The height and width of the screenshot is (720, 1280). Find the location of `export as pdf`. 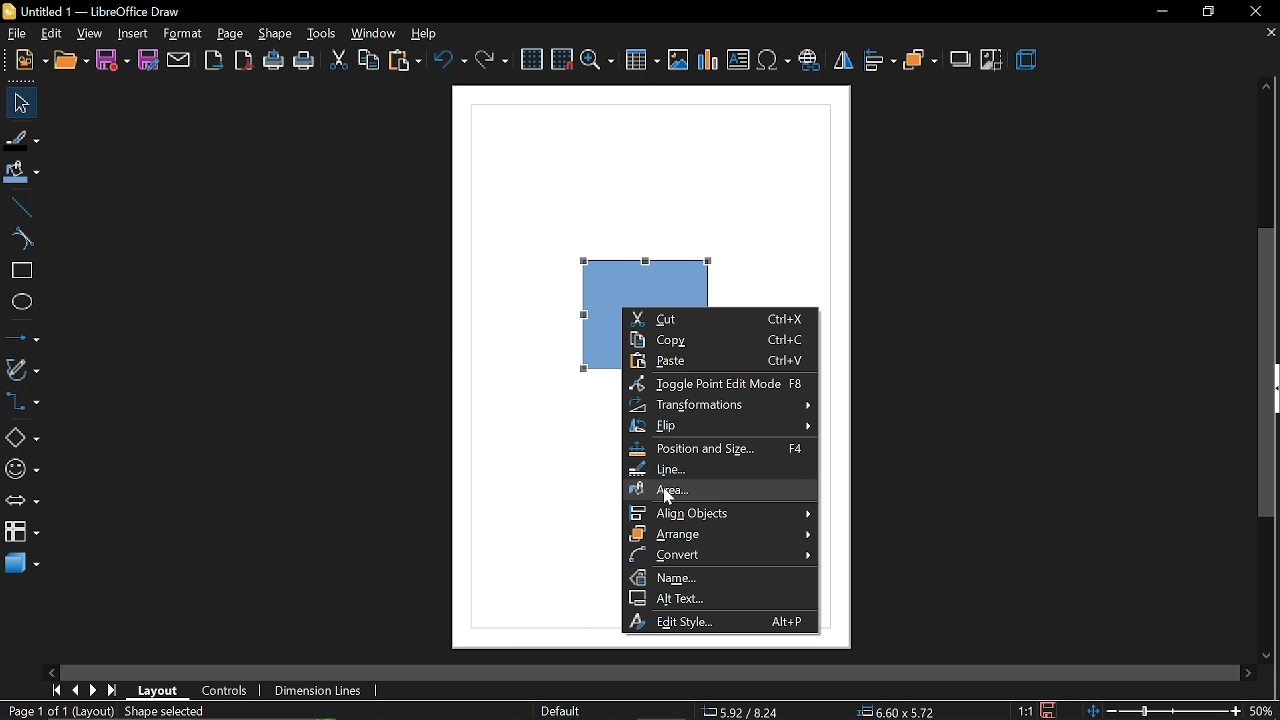

export as pdf is located at coordinates (245, 61).